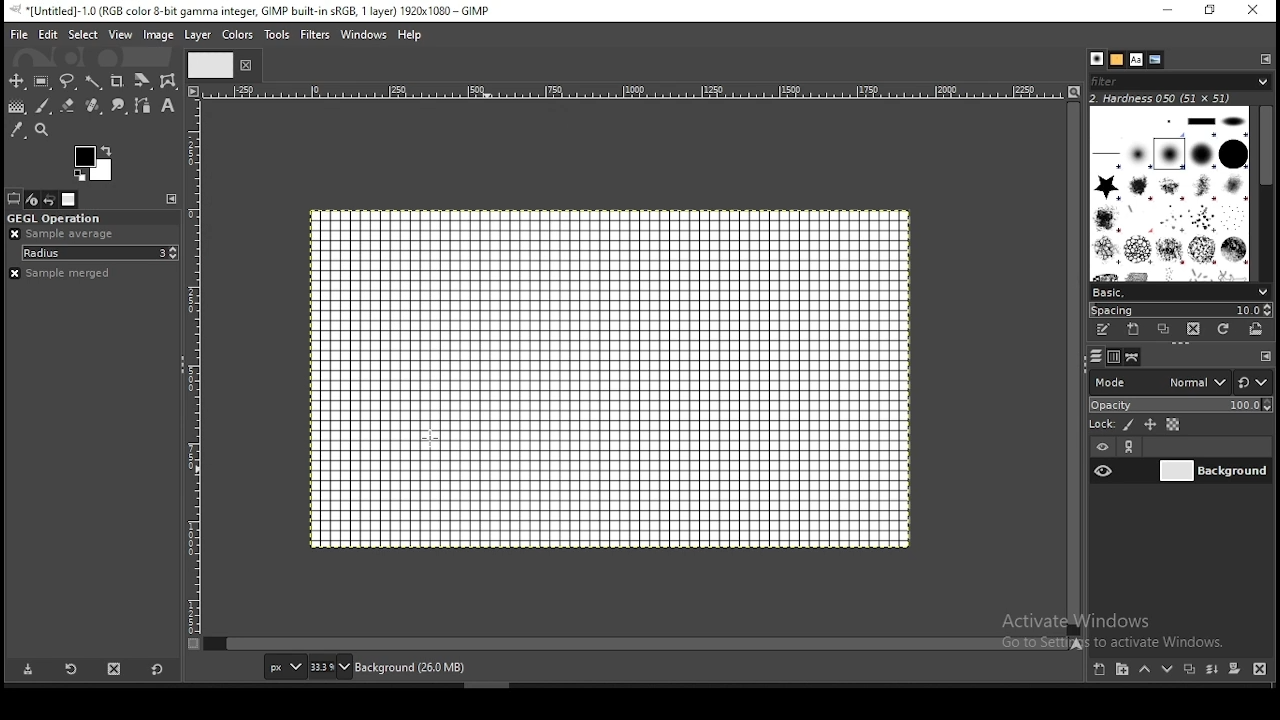  What do you see at coordinates (17, 129) in the screenshot?
I see `color picker tool` at bounding box center [17, 129].